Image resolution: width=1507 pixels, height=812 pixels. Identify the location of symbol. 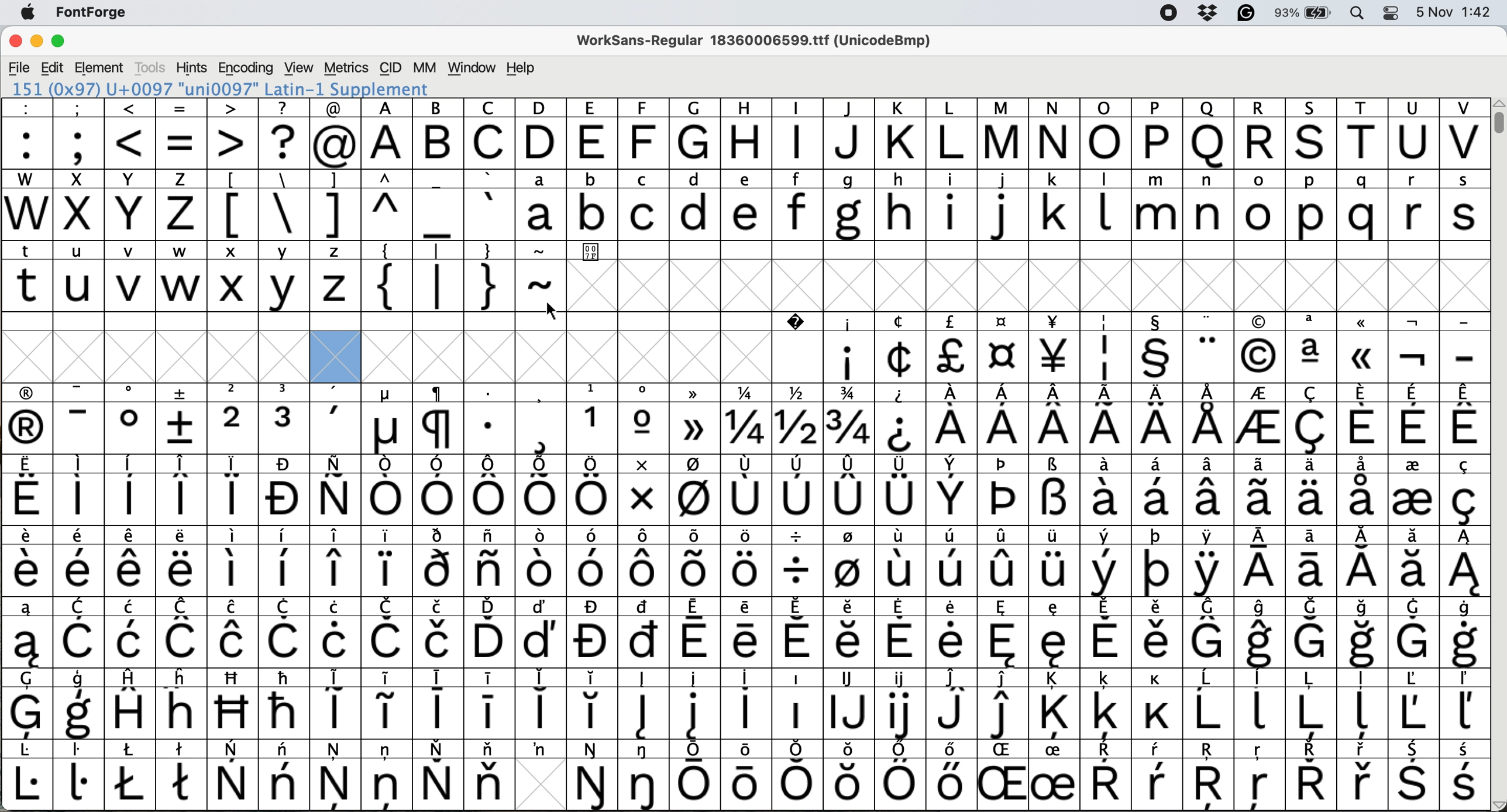
(953, 703).